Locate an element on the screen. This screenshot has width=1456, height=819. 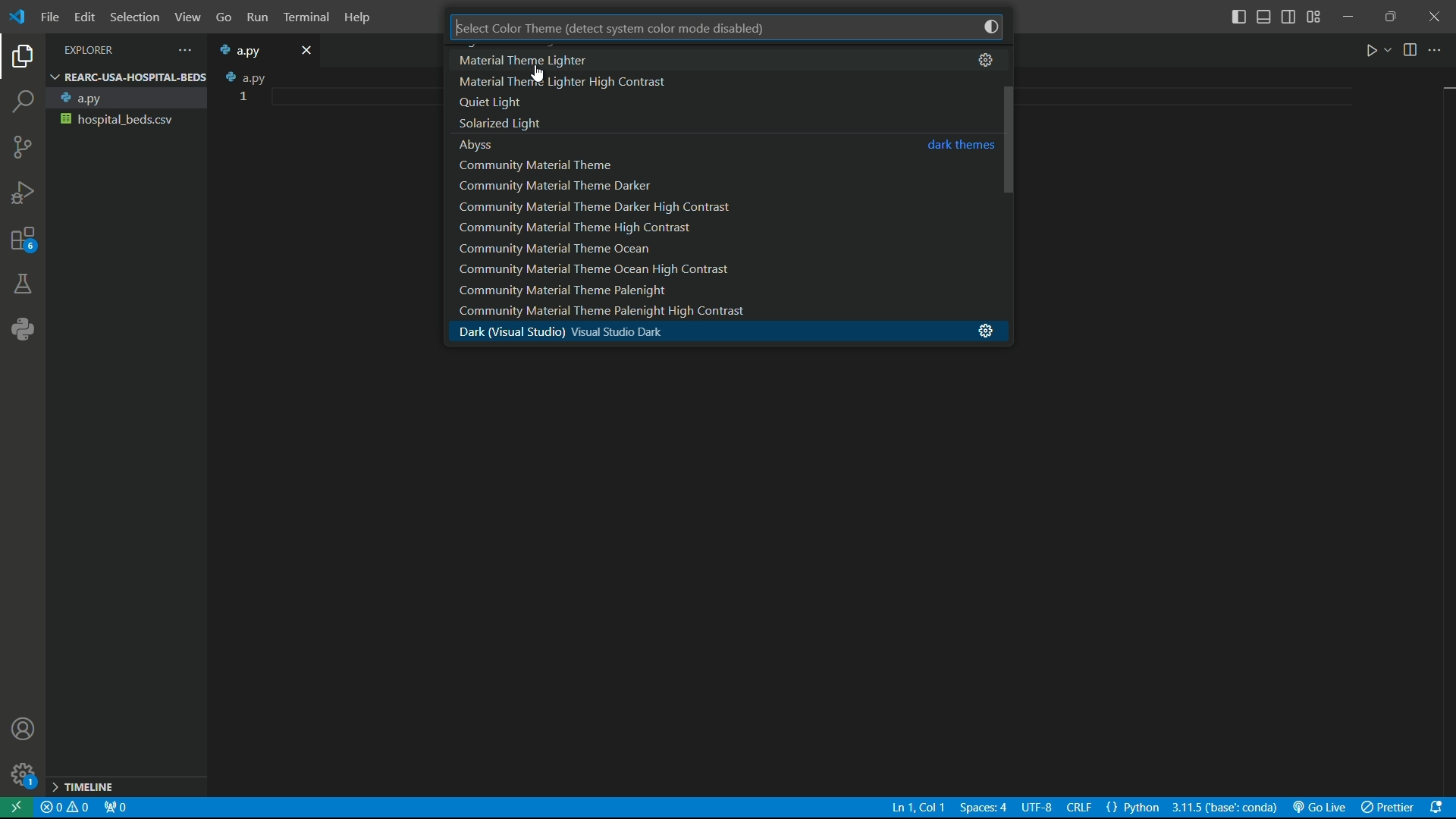
run menu is located at coordinates (256, 18).